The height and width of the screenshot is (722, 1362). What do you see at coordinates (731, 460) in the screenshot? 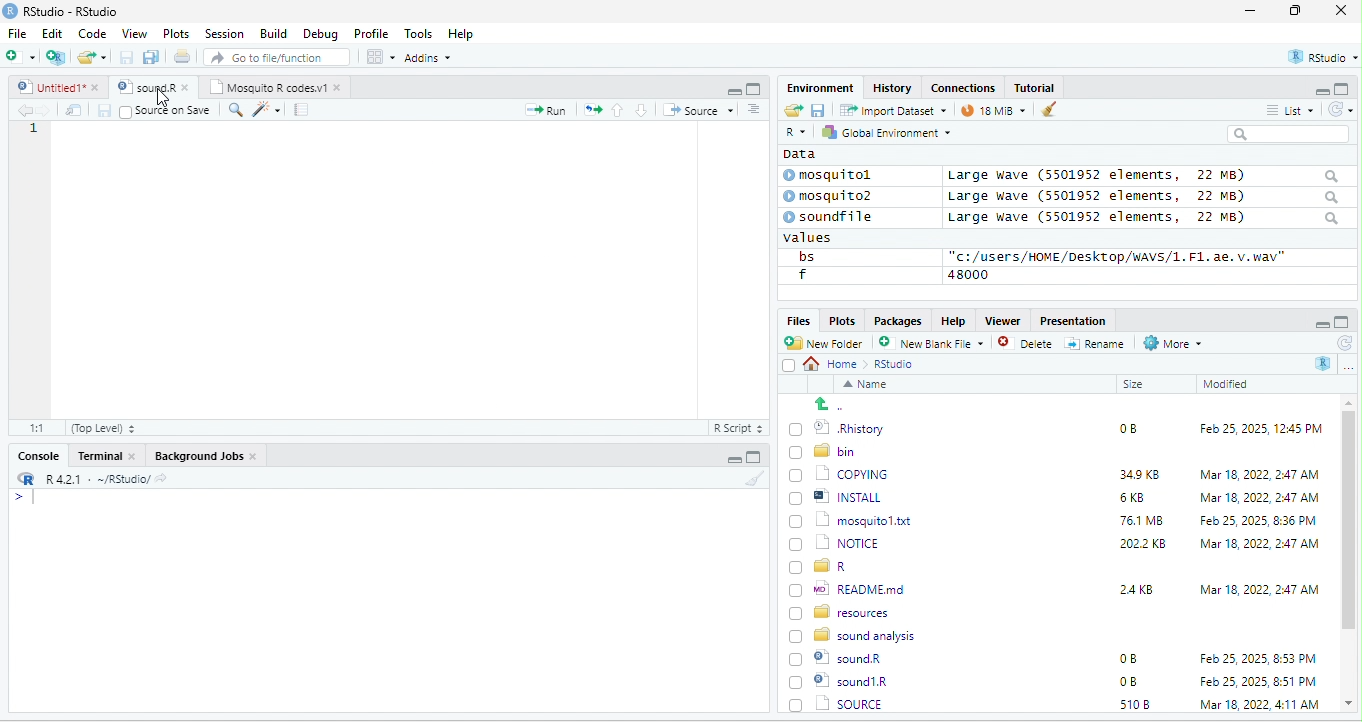
I see `minimize` at bounding box center [731, 460].